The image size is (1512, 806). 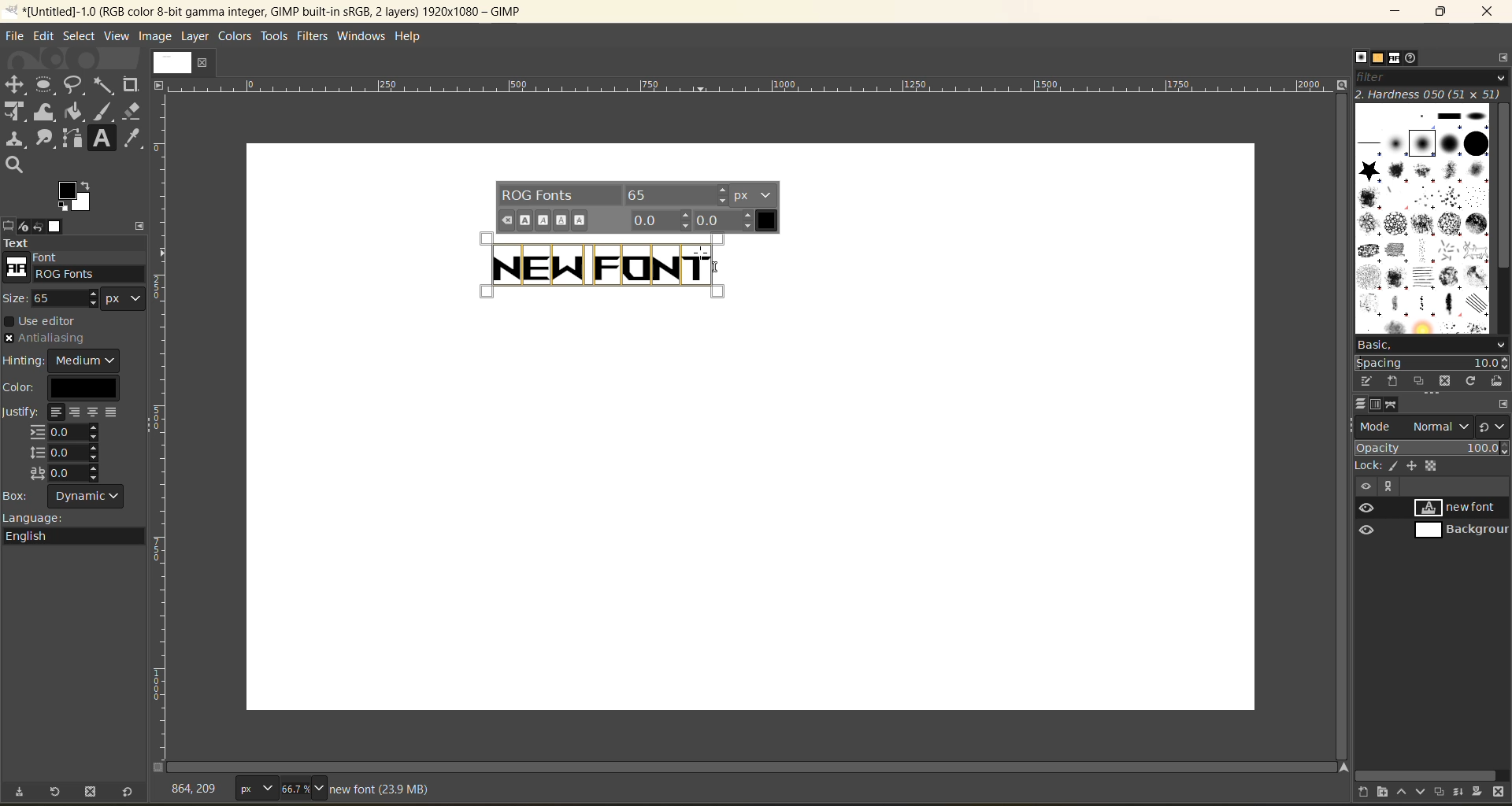 I want to click on preview, so click(x=1366, y=522).